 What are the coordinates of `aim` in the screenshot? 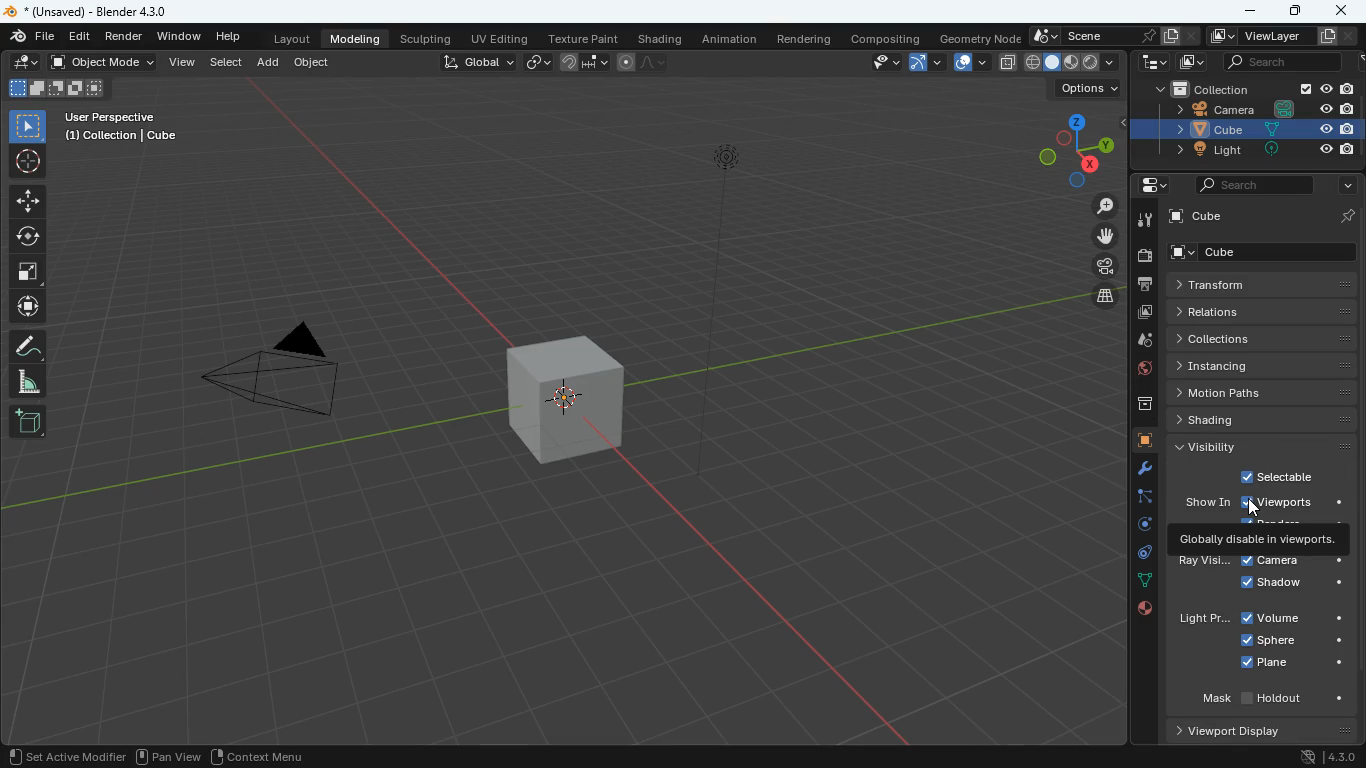 It's located at (28, 201).